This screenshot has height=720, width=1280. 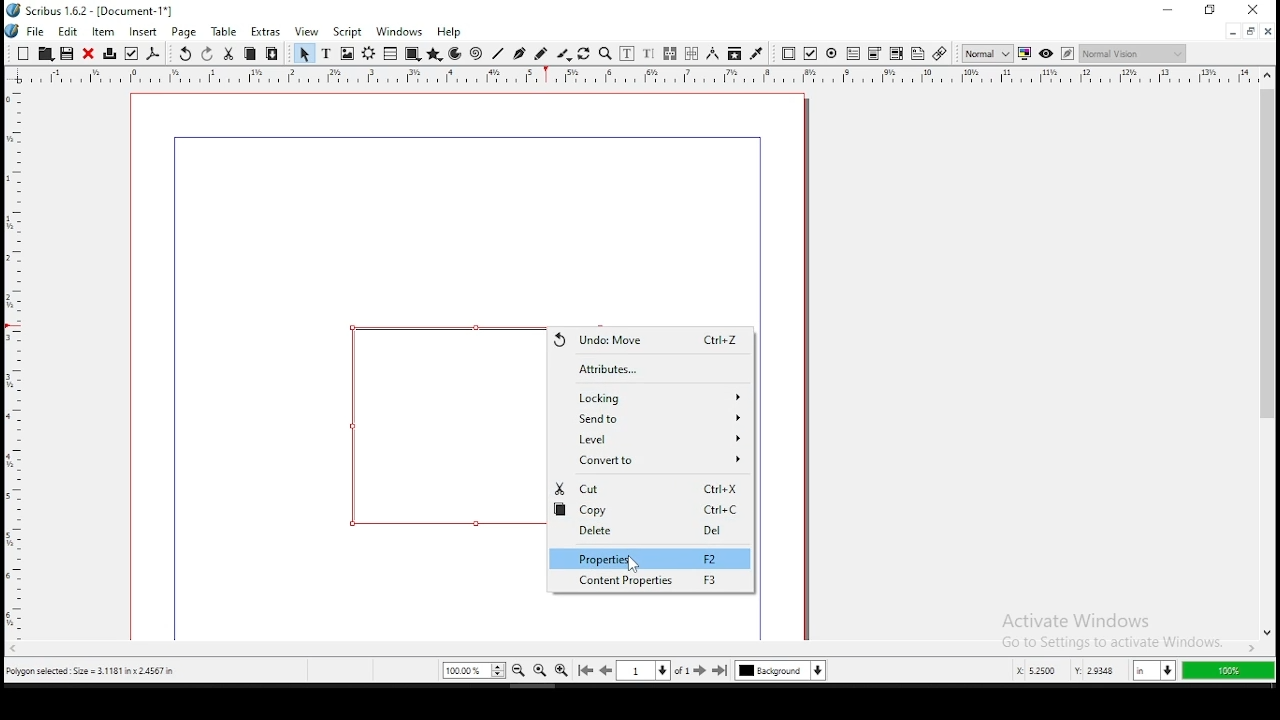 What do you see at coordinates (519, 670) in the screenshot?
I see `zoom out` at bounding box center [519, 670].